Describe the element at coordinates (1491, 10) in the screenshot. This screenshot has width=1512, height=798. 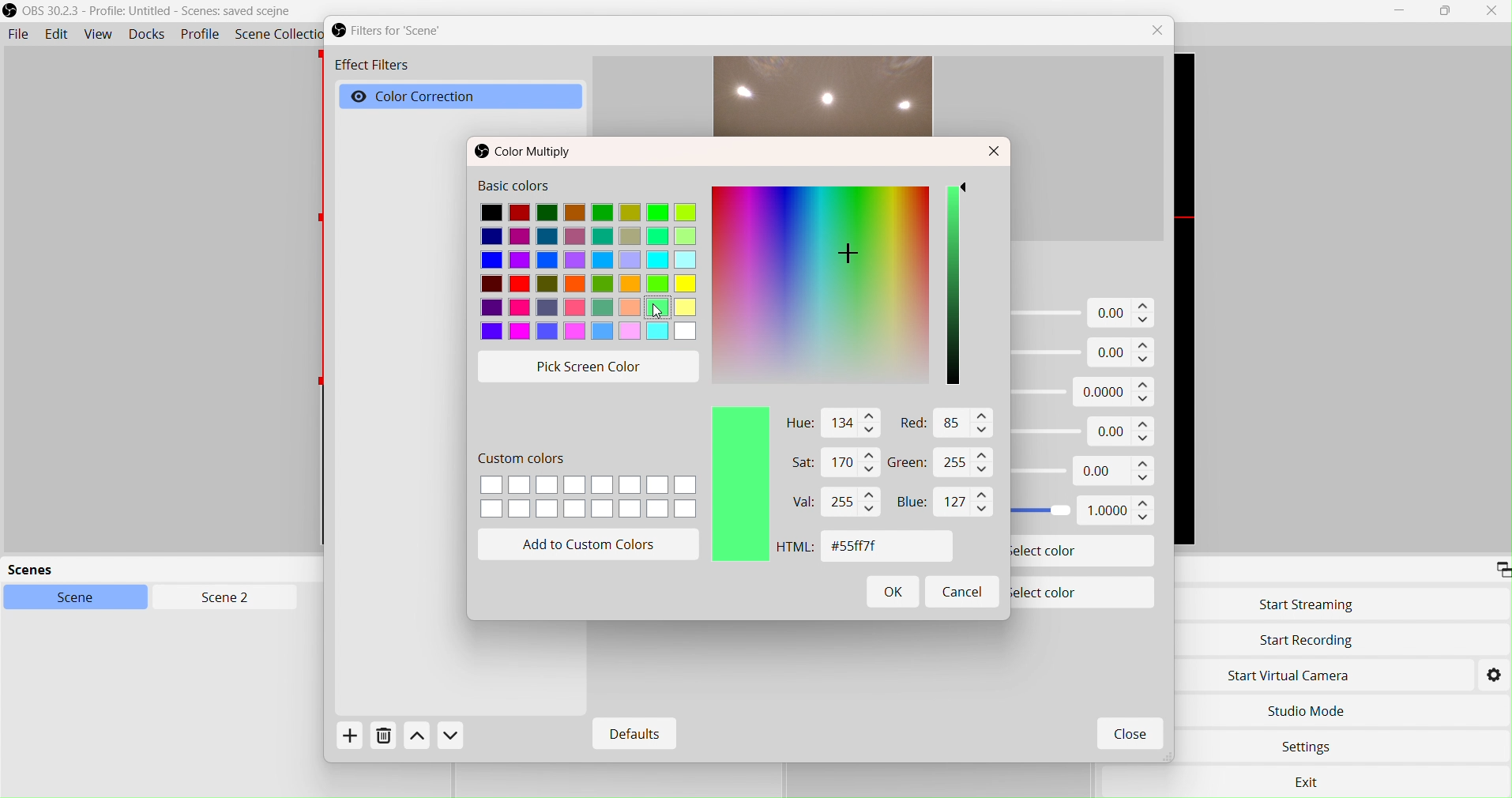
I see `Close` at that location.